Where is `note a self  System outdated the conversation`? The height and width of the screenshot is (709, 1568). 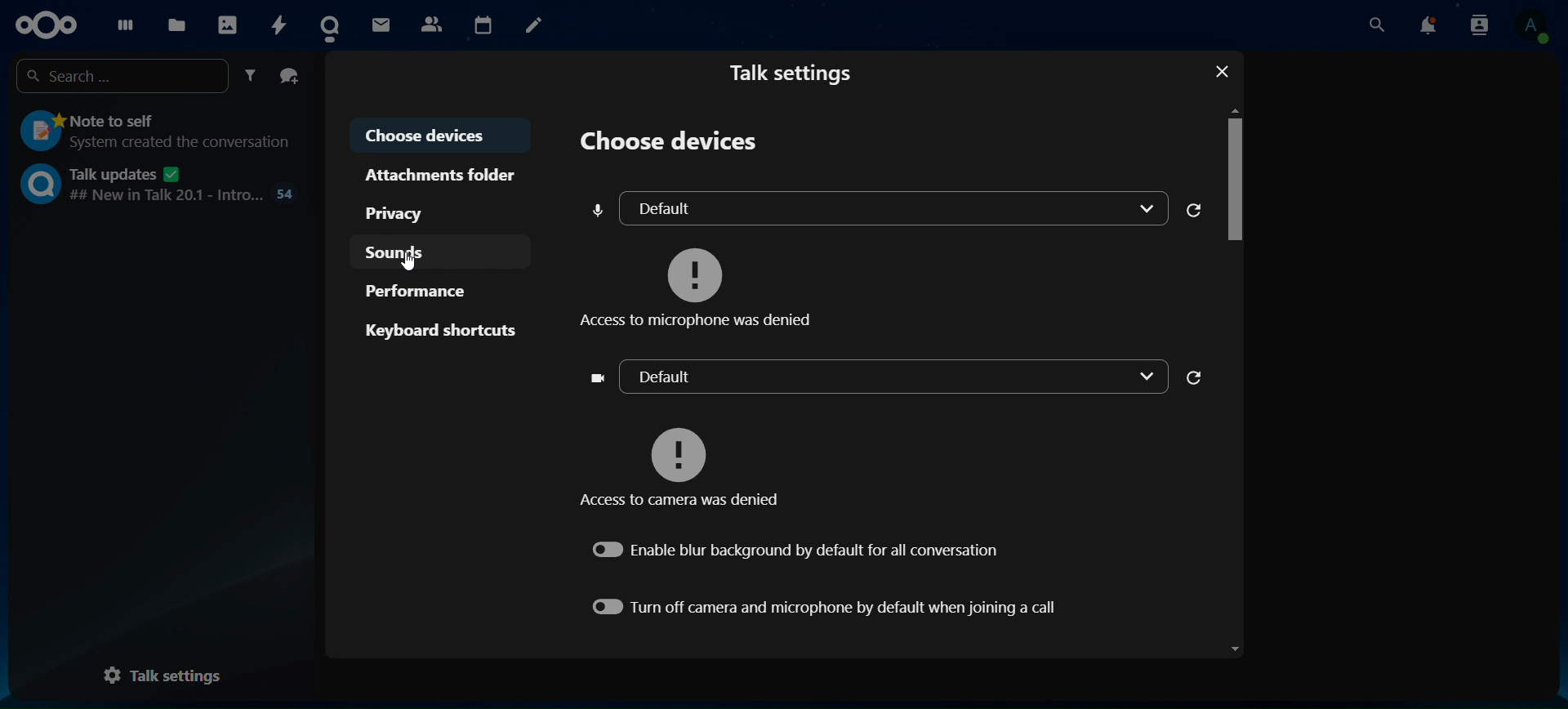
note a self  System outdated the conversation is located at coordinates (158, 129).